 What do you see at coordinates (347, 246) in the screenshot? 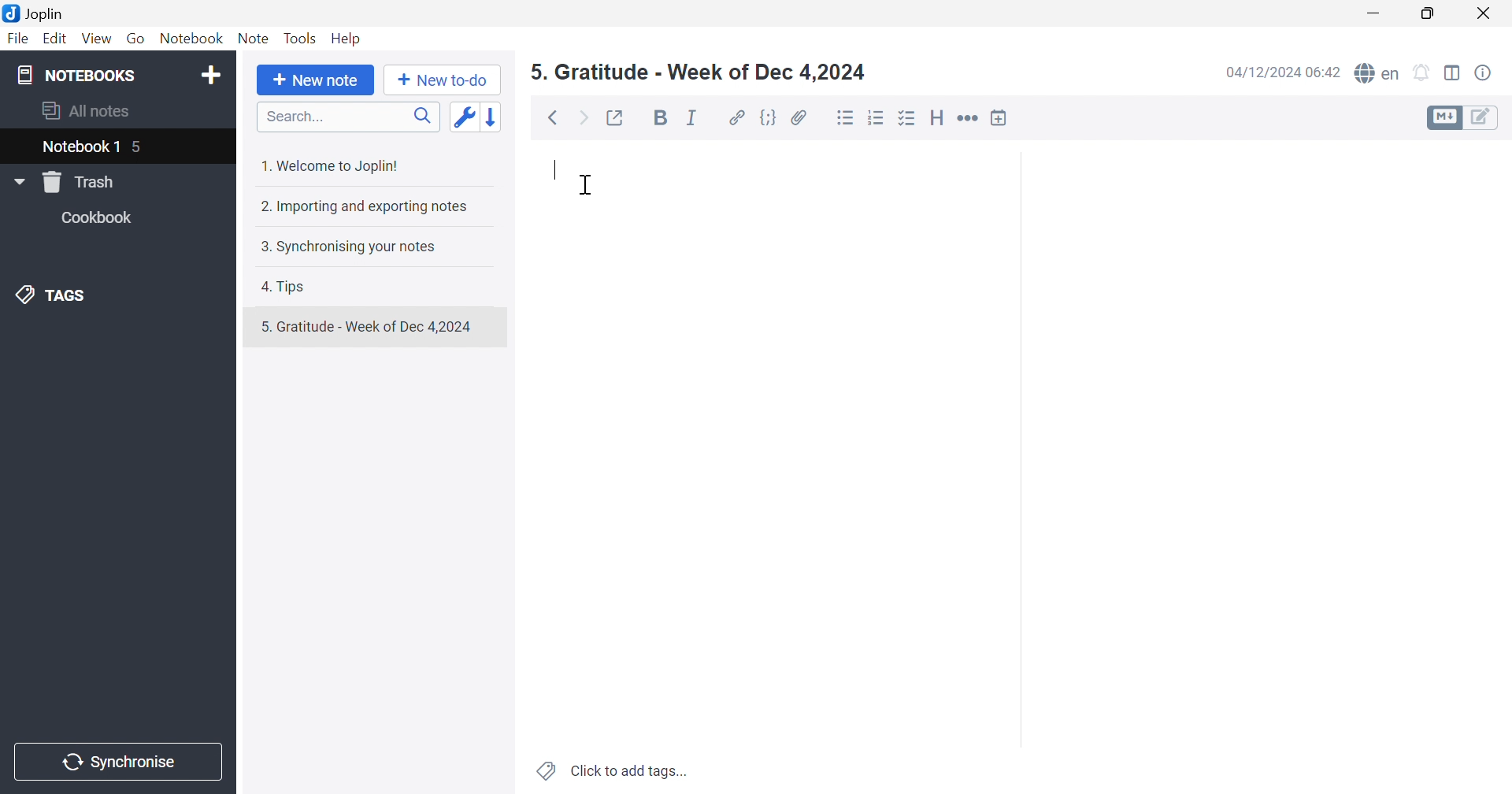
I see `3. Synchronising your notes` at bounding box center [347, 246].